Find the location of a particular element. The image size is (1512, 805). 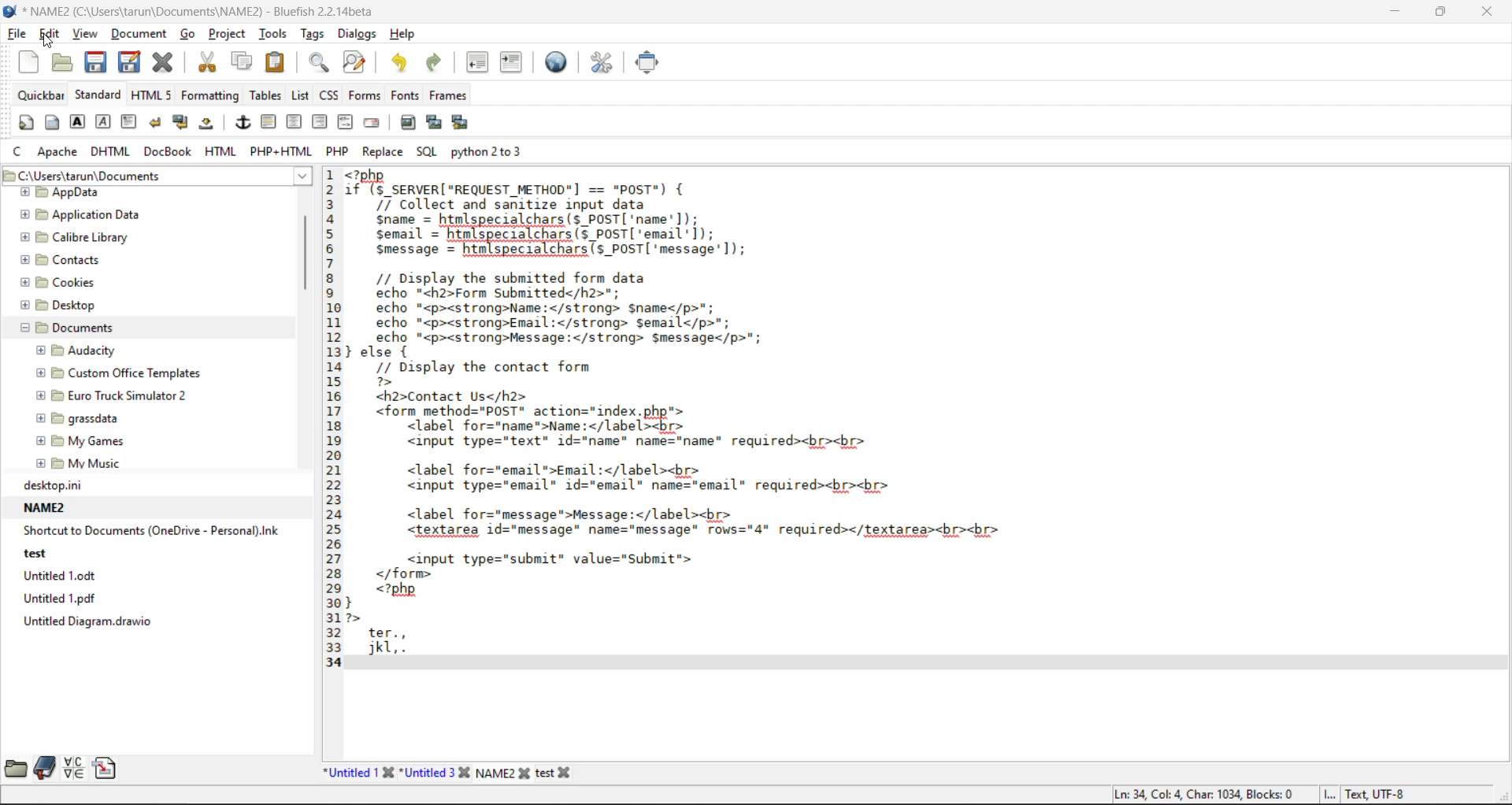

break and clear is located at coordinates (182, 124).